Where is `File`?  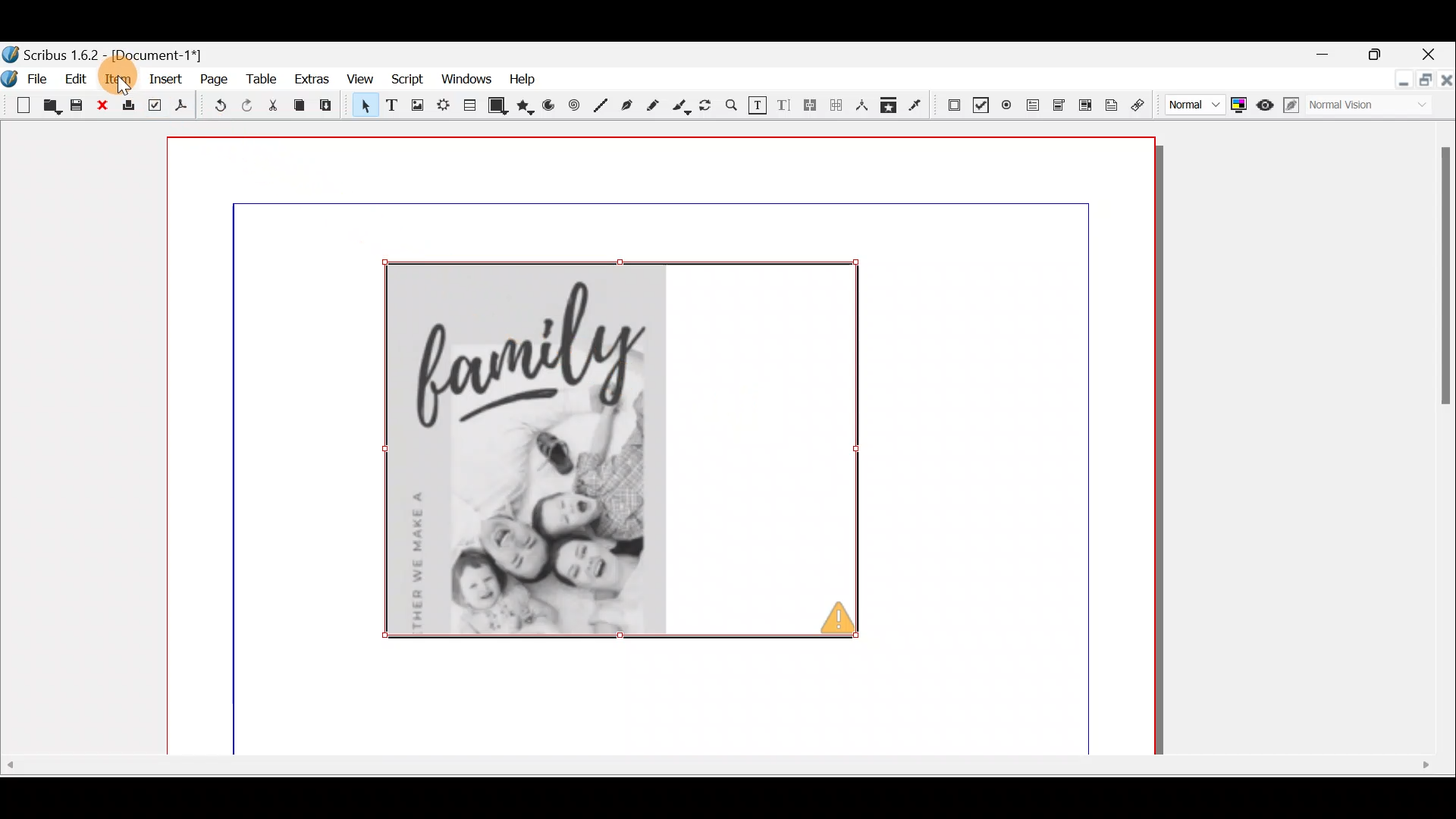 File is located at coordinates (27, 77).